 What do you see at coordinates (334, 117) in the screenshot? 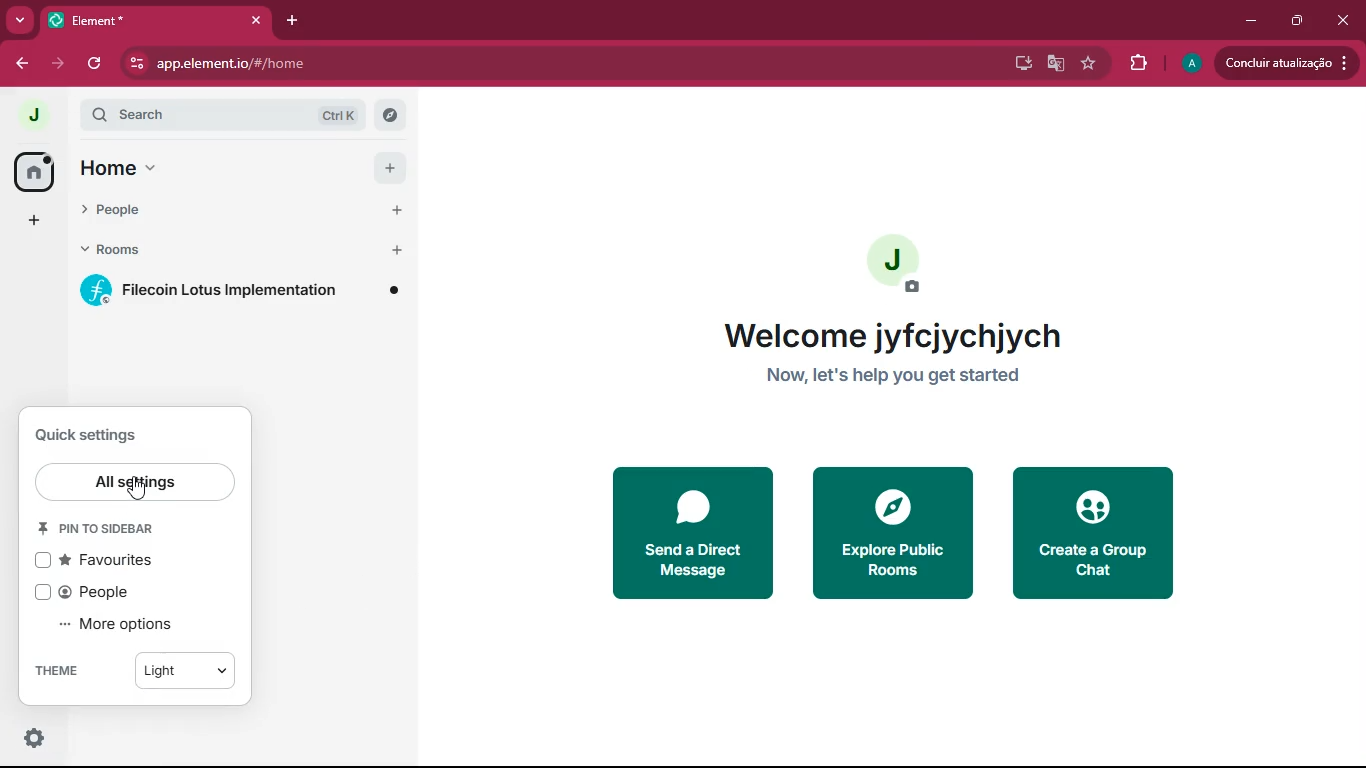
I see `ctrl k` at bounding box center [334, 117].